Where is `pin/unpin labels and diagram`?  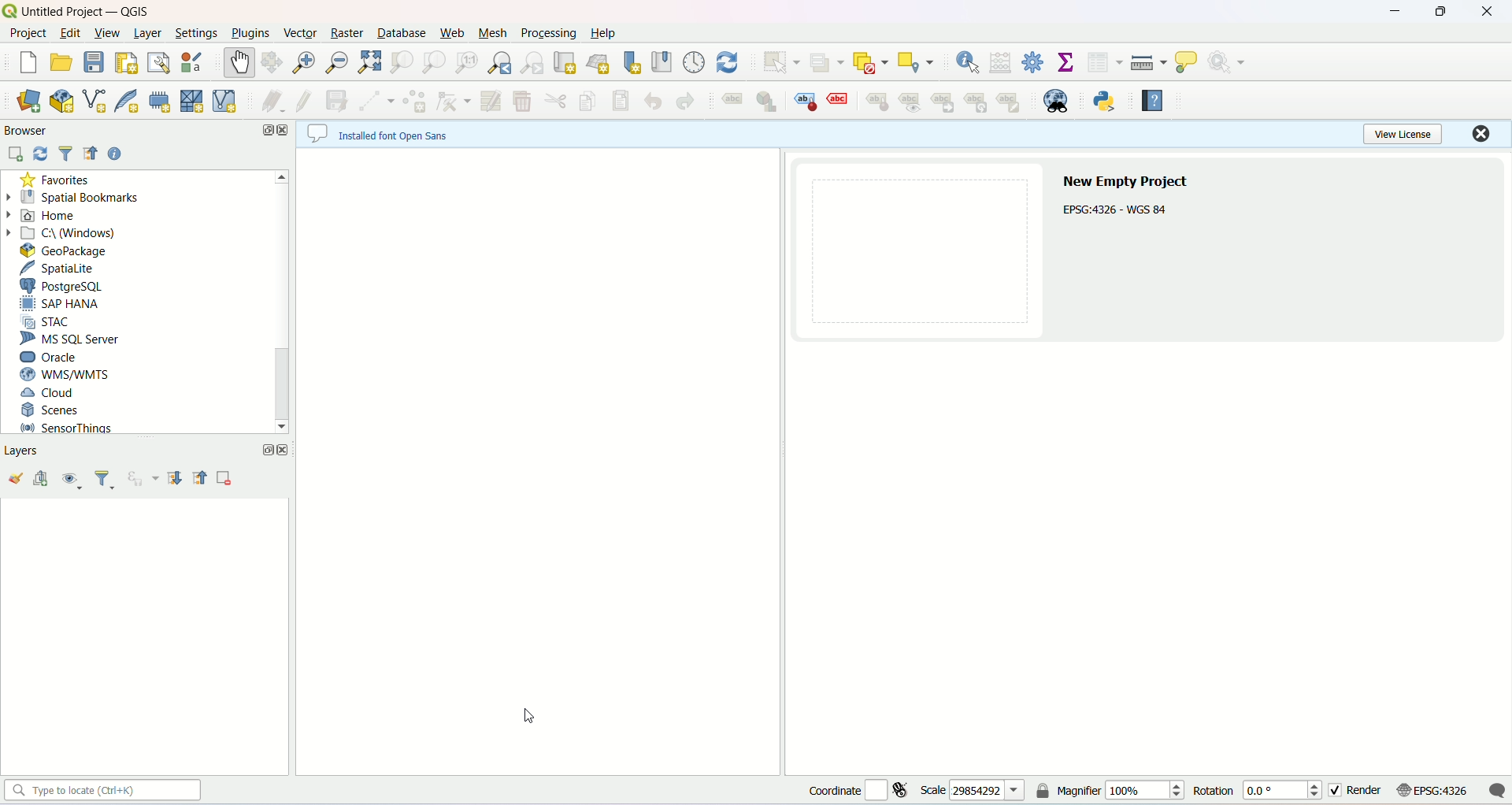 pin/unpin labels and diagram is located at coordinates (873, 101).